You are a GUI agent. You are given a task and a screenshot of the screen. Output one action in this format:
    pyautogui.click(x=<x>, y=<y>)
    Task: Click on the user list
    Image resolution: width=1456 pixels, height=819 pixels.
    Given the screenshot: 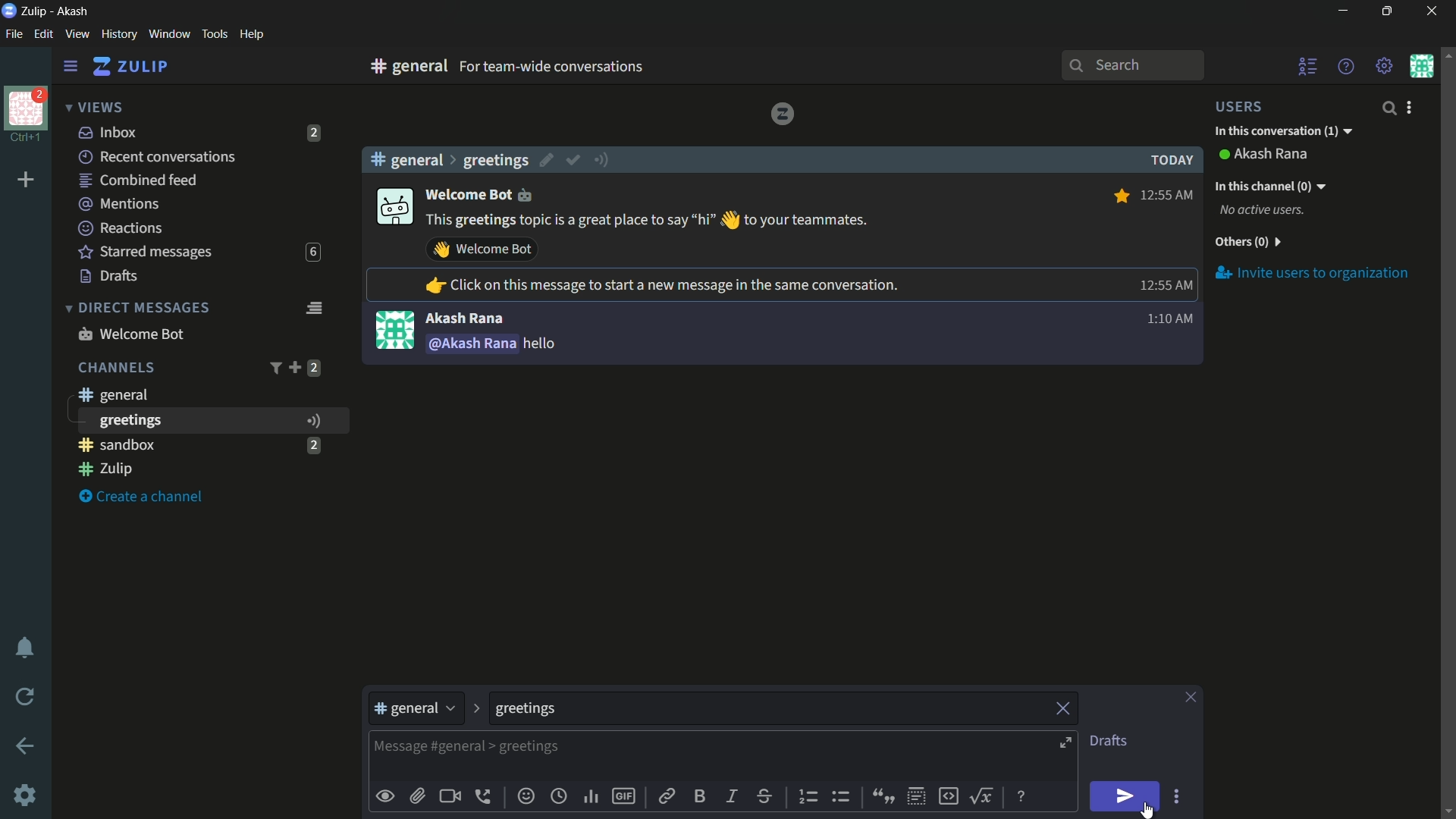 What is the action you would take?
    pyautogui.click(x=1309, y=66)
    